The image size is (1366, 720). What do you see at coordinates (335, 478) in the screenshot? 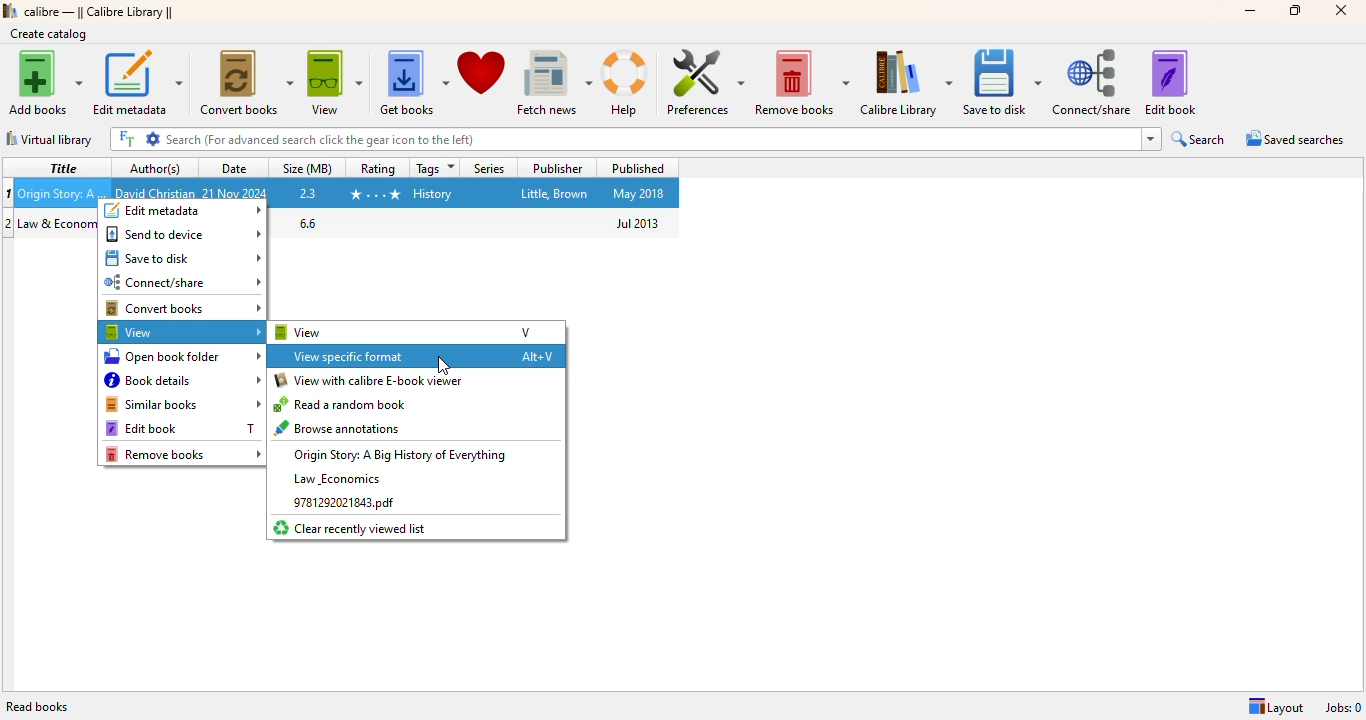
I see `Law_economics` at bounding box center [335, 478].